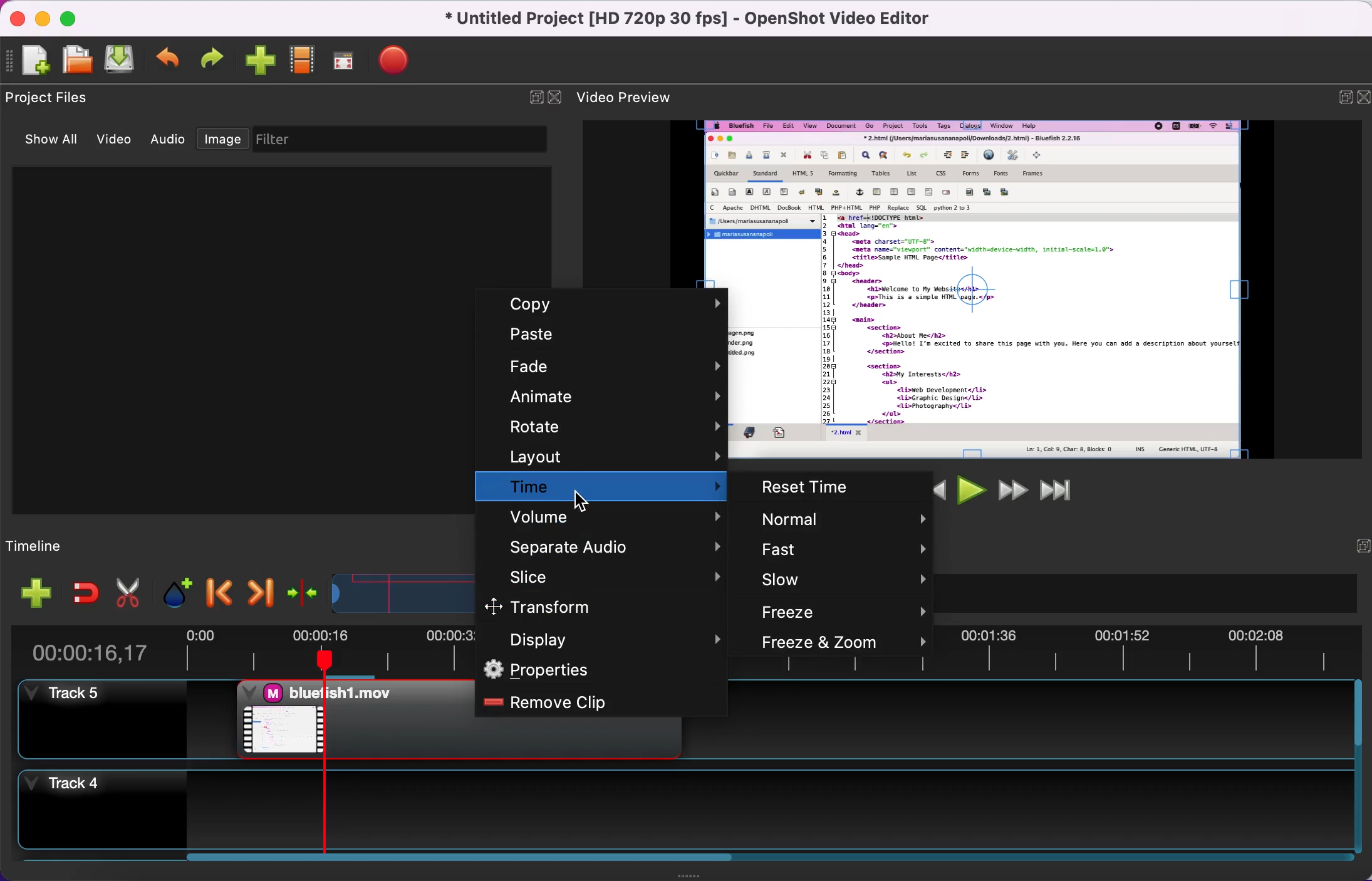 Image resolution: width=1372 pixels, height=881 pixels. Describe the element at coordinates (304, 60) in the screenshot. I see `choose profile` at that location.